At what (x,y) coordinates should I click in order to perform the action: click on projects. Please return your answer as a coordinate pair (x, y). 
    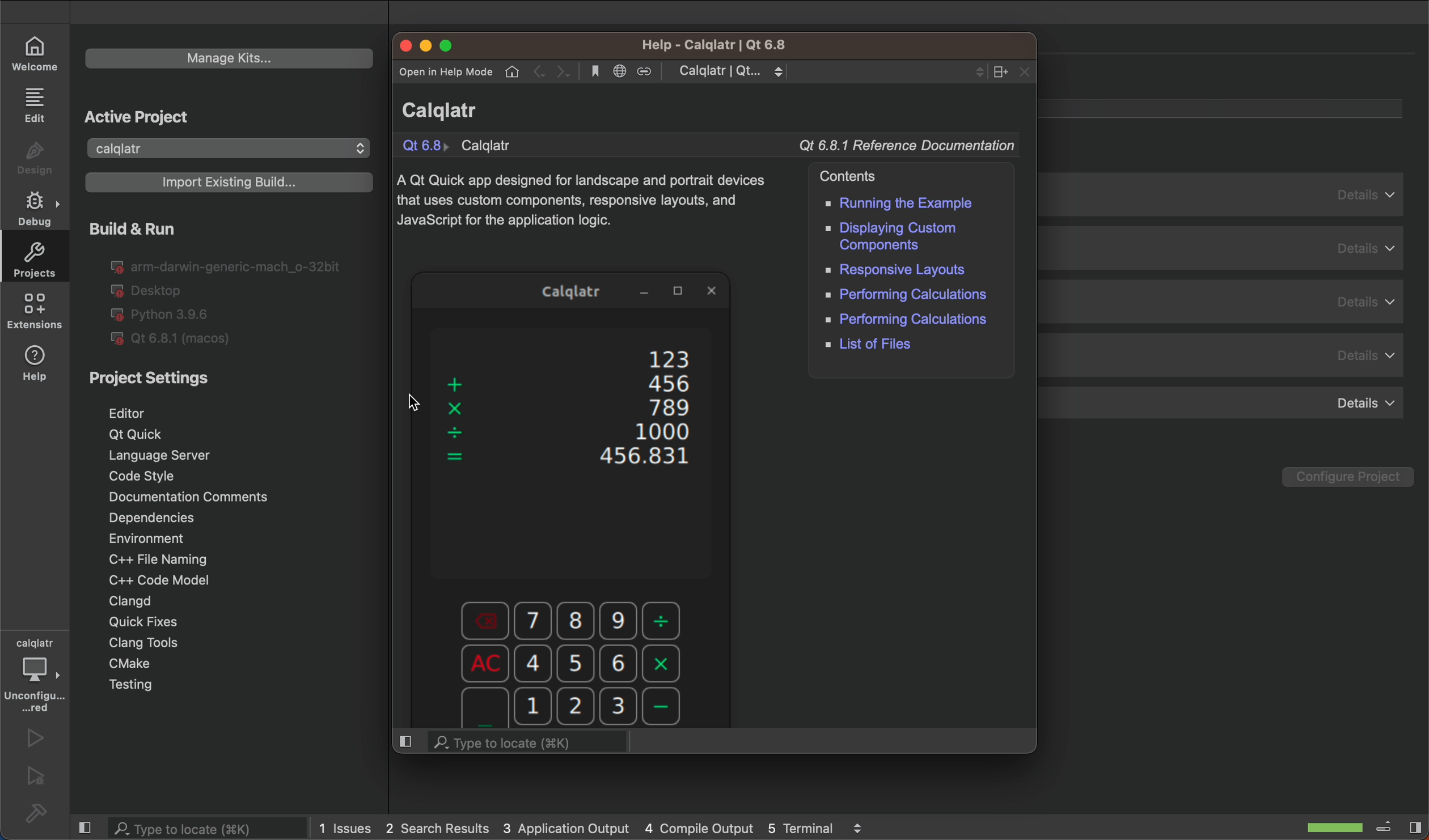
    Looking at the image, I should click on (37, 259).